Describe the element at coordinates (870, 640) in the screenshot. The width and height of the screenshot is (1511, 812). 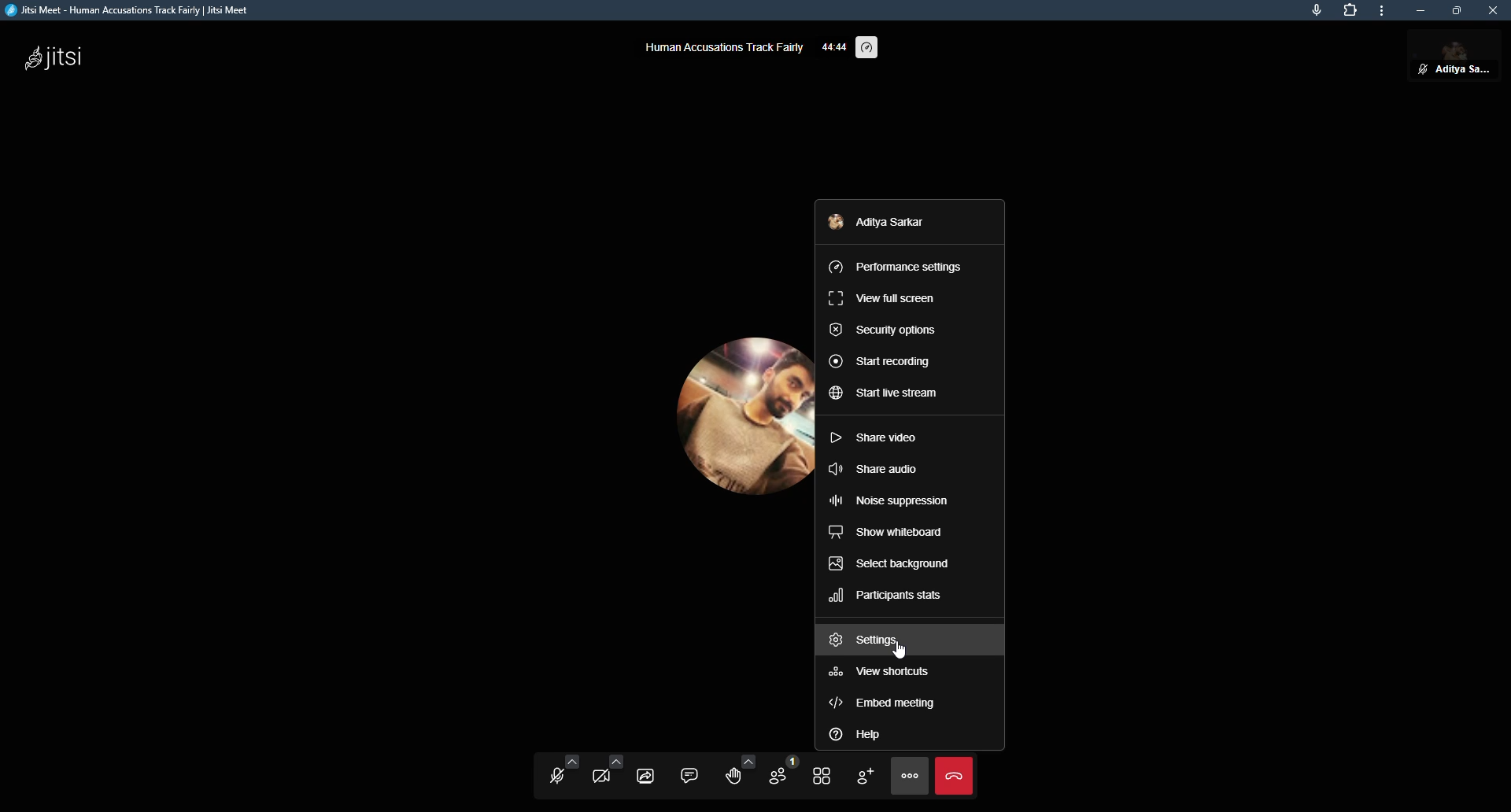
I see `settings` at that location.